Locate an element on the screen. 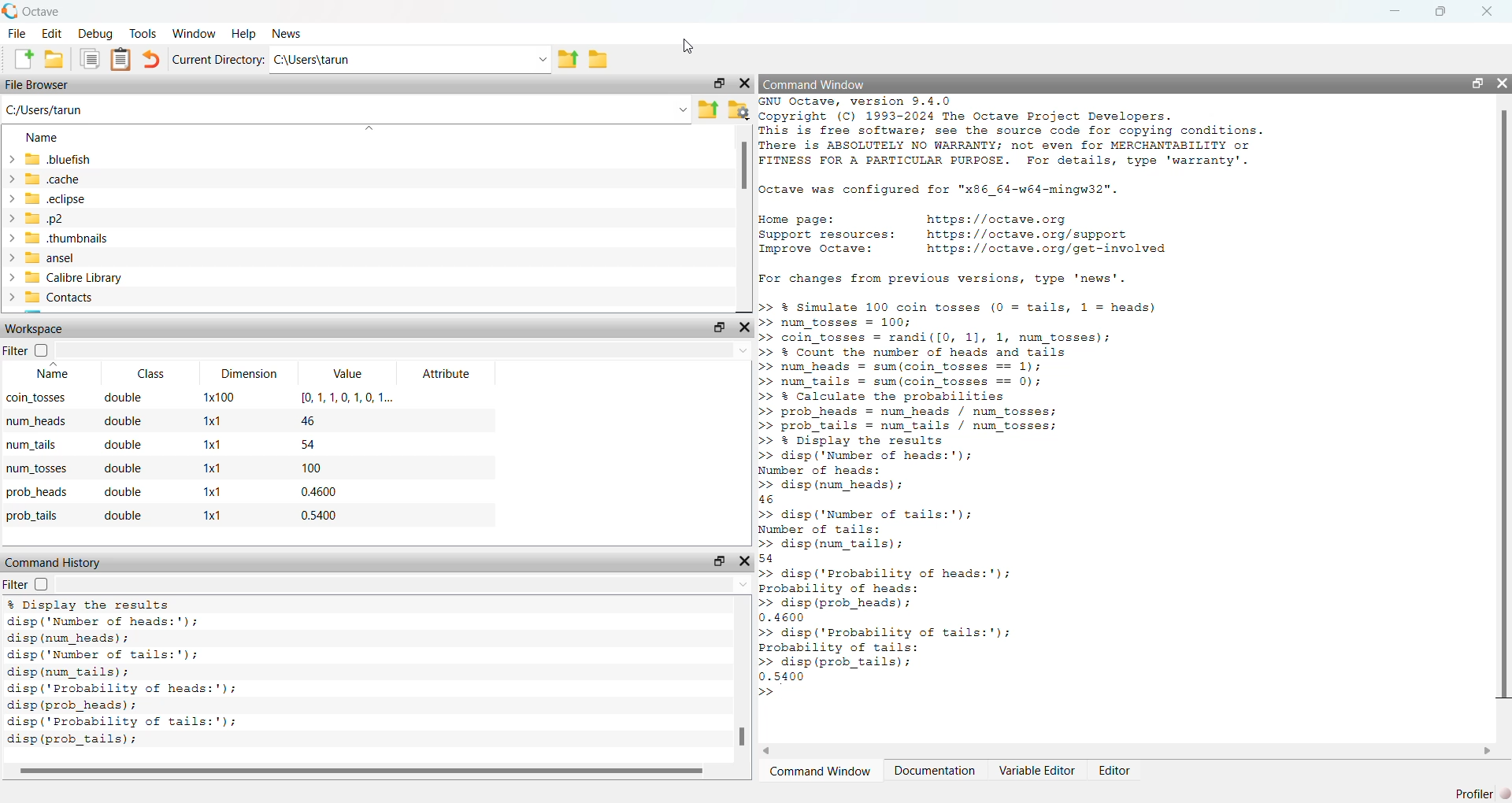  File is located at coordinates (16, 33).